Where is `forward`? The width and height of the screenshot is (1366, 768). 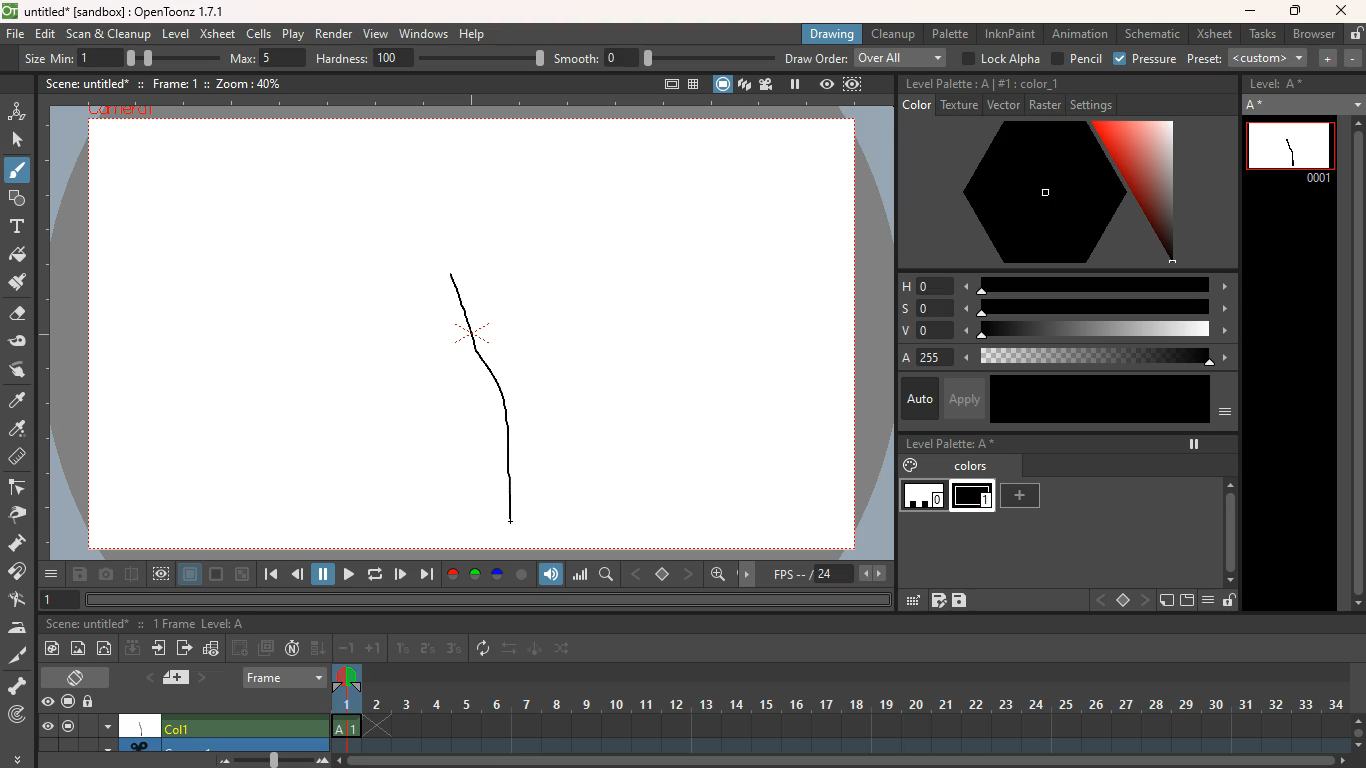 forward is located at coordinates (426, 575).